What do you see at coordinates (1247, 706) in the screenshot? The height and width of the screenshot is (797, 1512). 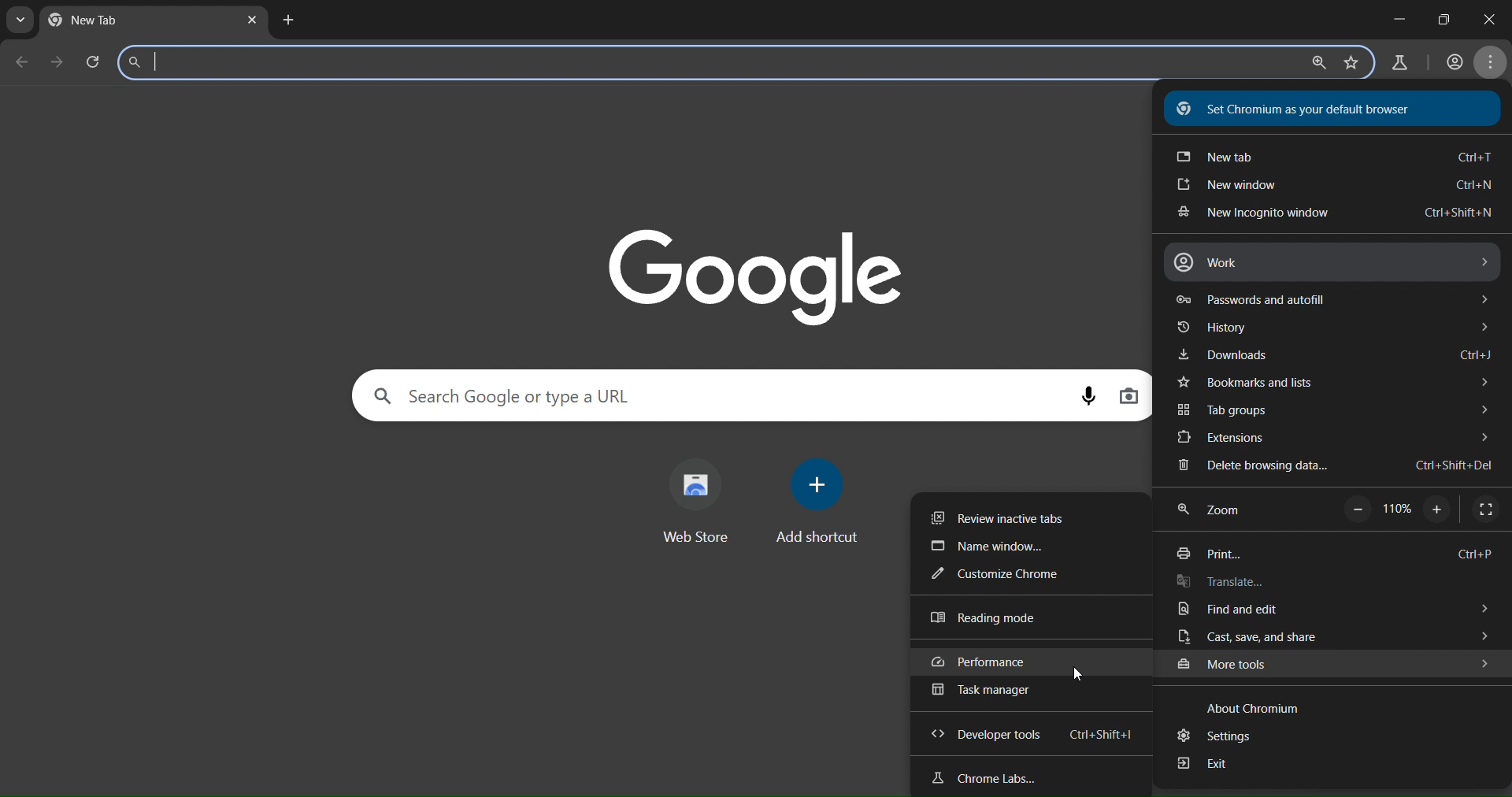 I see `about chromium` at bounding box center [1247, 706].